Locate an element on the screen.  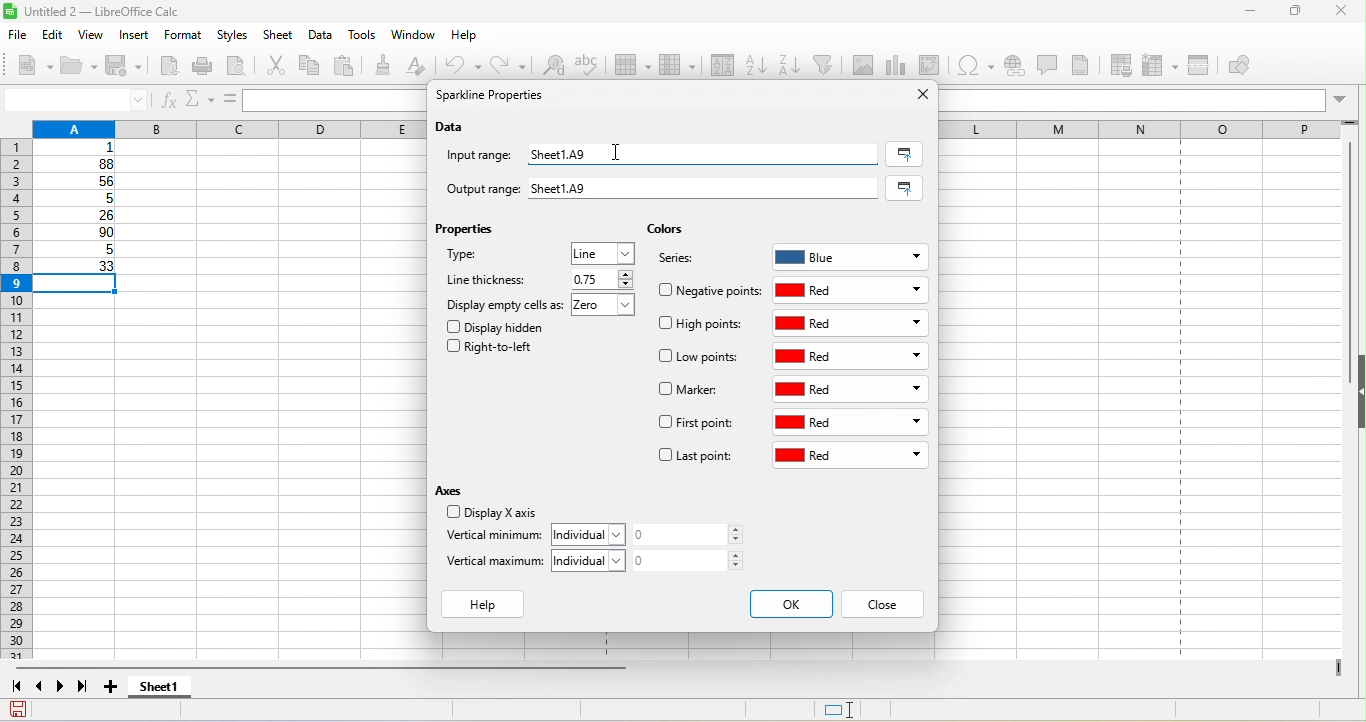
scroll to last sheet is located at coordinates (88, 689).